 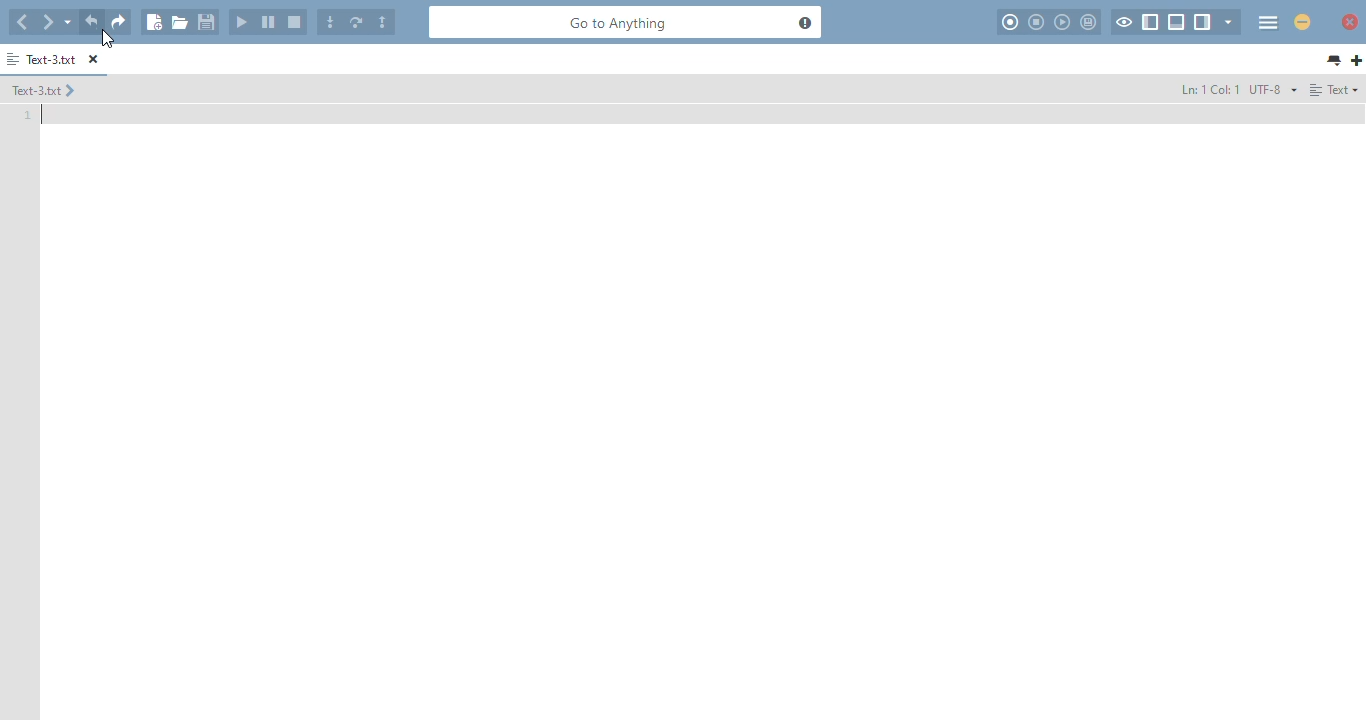 I want to click on cursor, so click(x=102, y=38).